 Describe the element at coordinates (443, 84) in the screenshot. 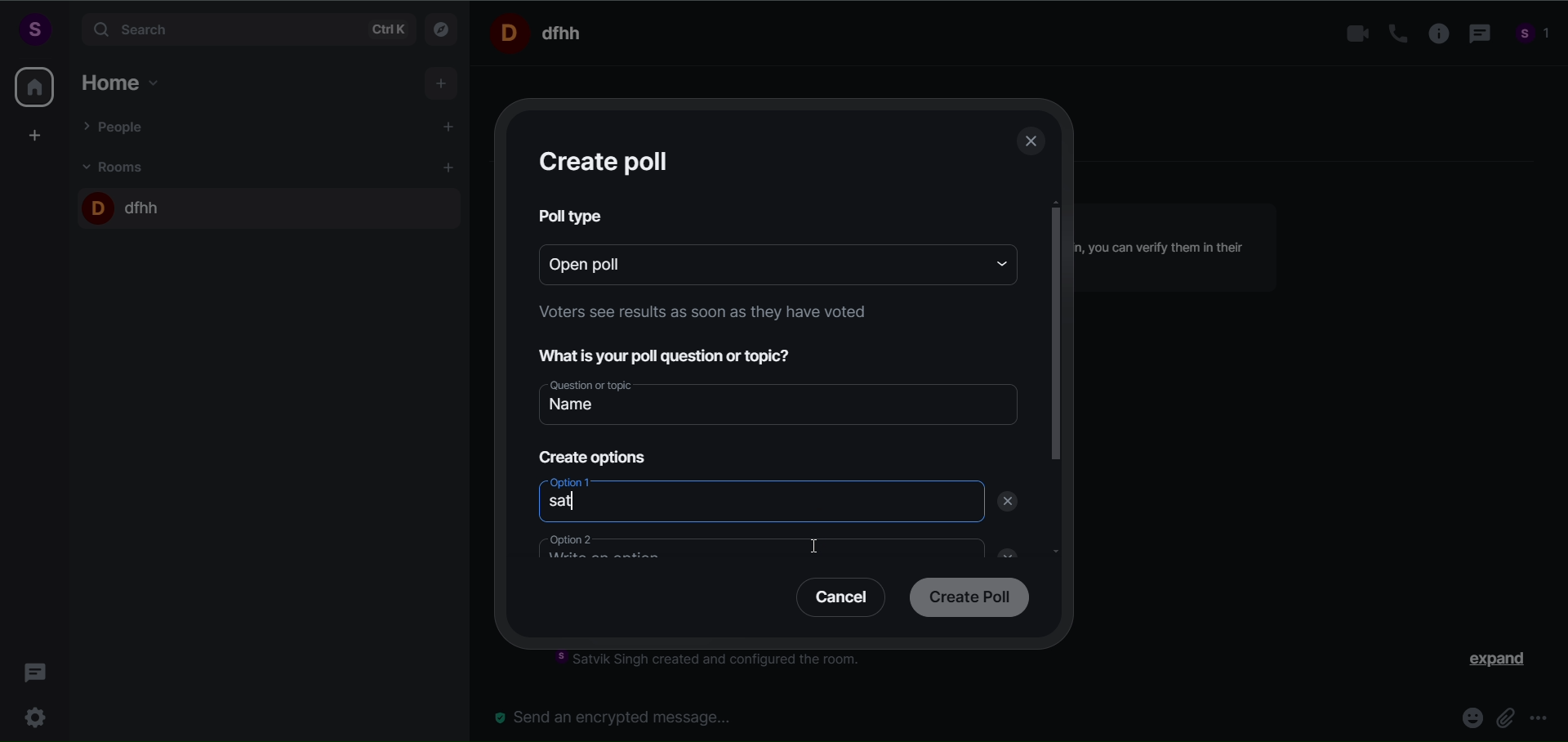

I see `add` at that location.